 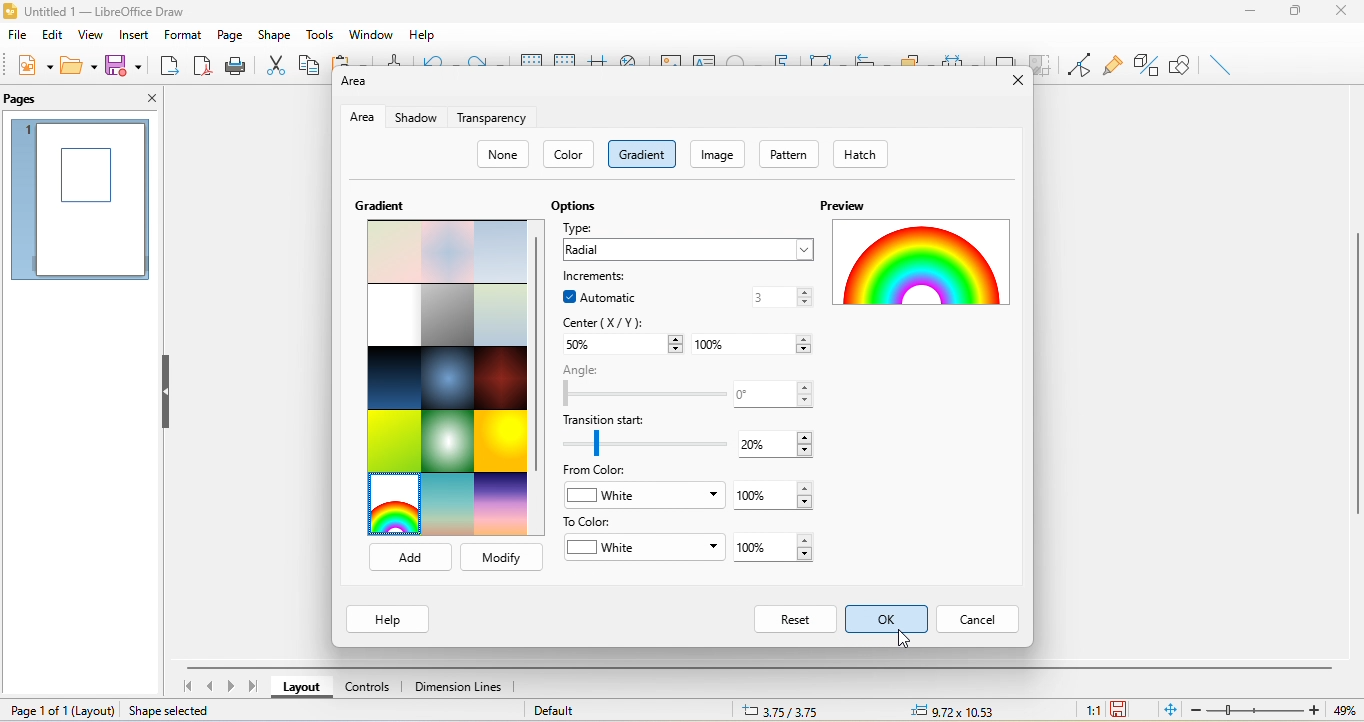 What do you see at coordinates (591, 522) in the screenshot?
I see `to color` at bounding box center [591, 522].